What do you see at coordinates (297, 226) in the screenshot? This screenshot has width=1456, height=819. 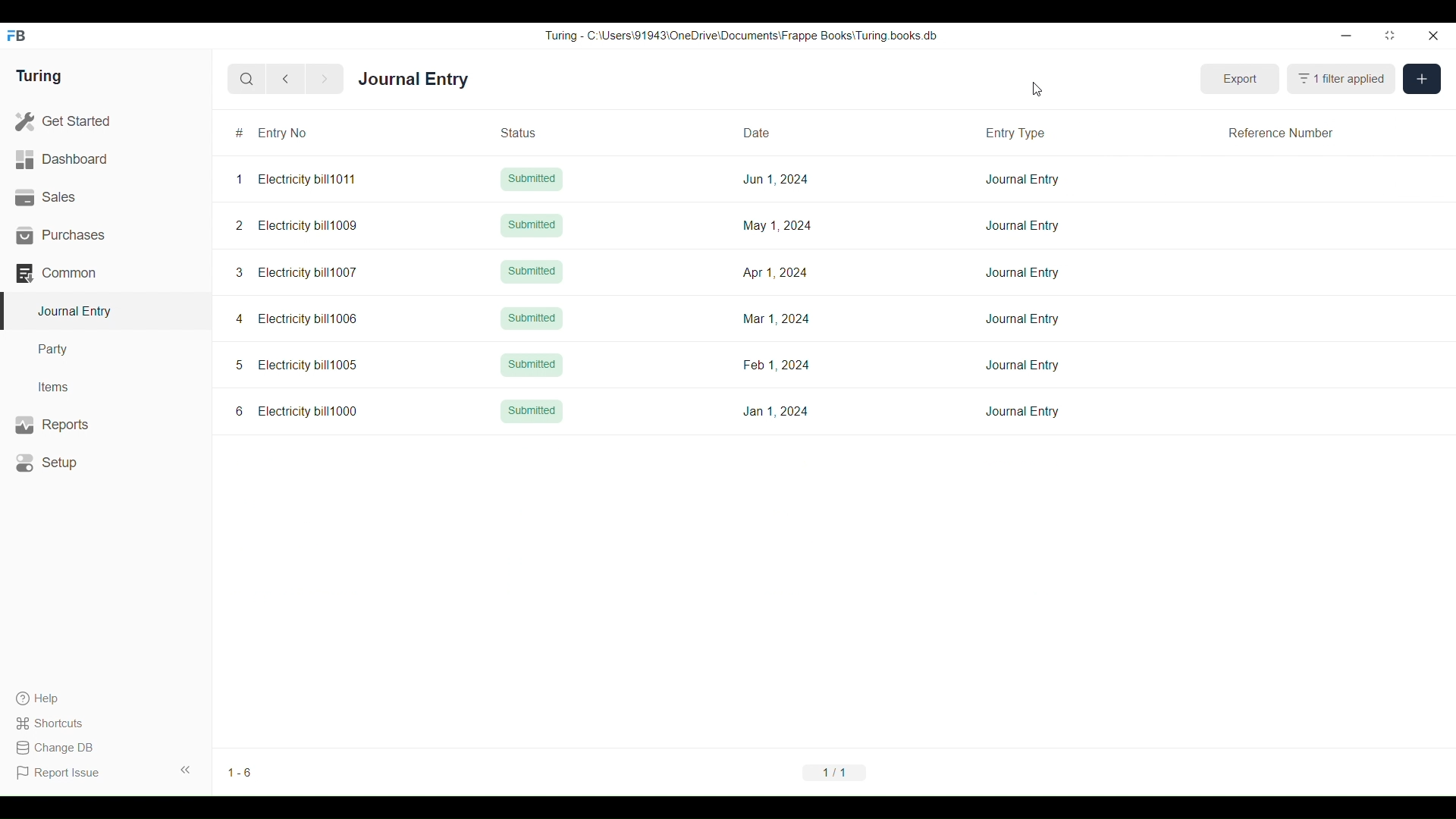 I see `2 Electricity bill1009` at bounding box center [297, 226].